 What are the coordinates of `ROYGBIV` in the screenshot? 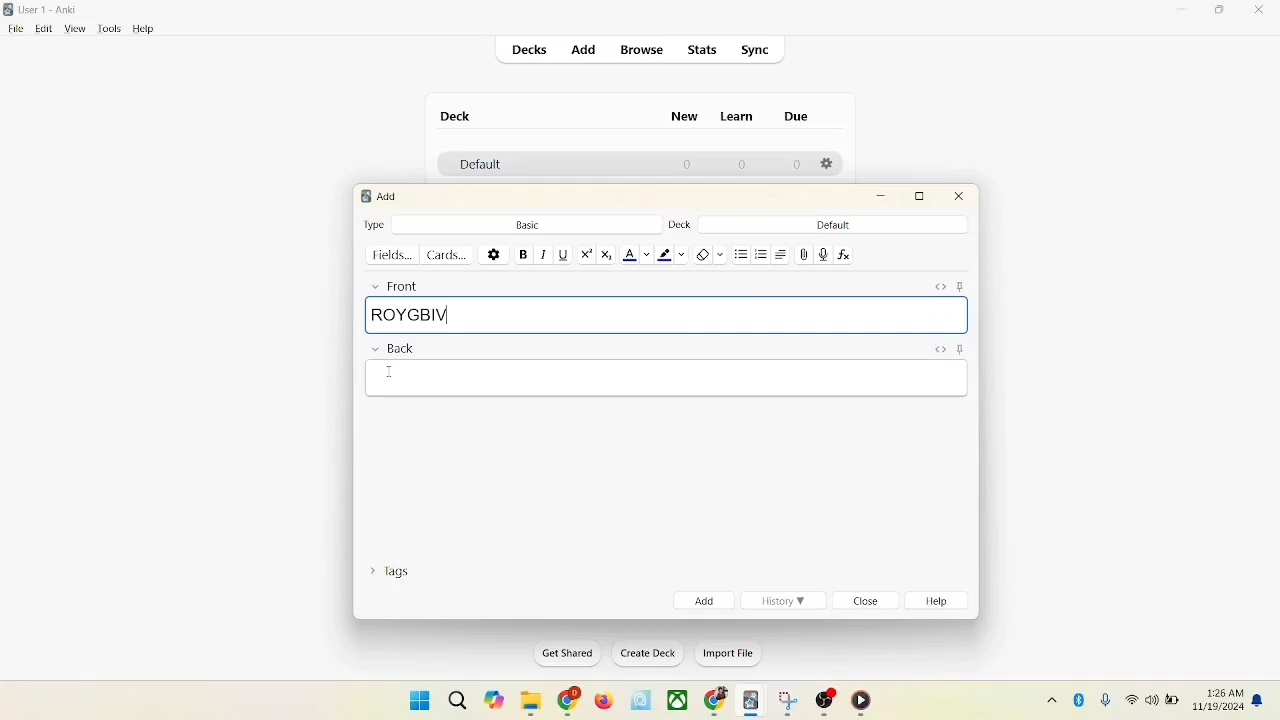 It's located at (666, 315).